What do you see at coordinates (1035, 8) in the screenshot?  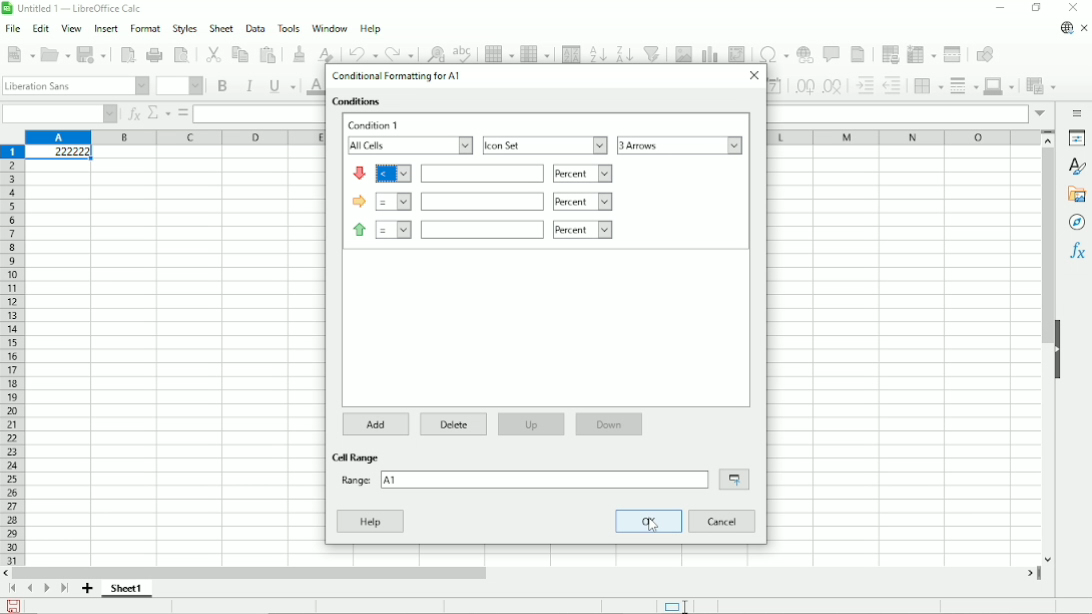 I see `Restore down` at bounding box center [1035, 8].